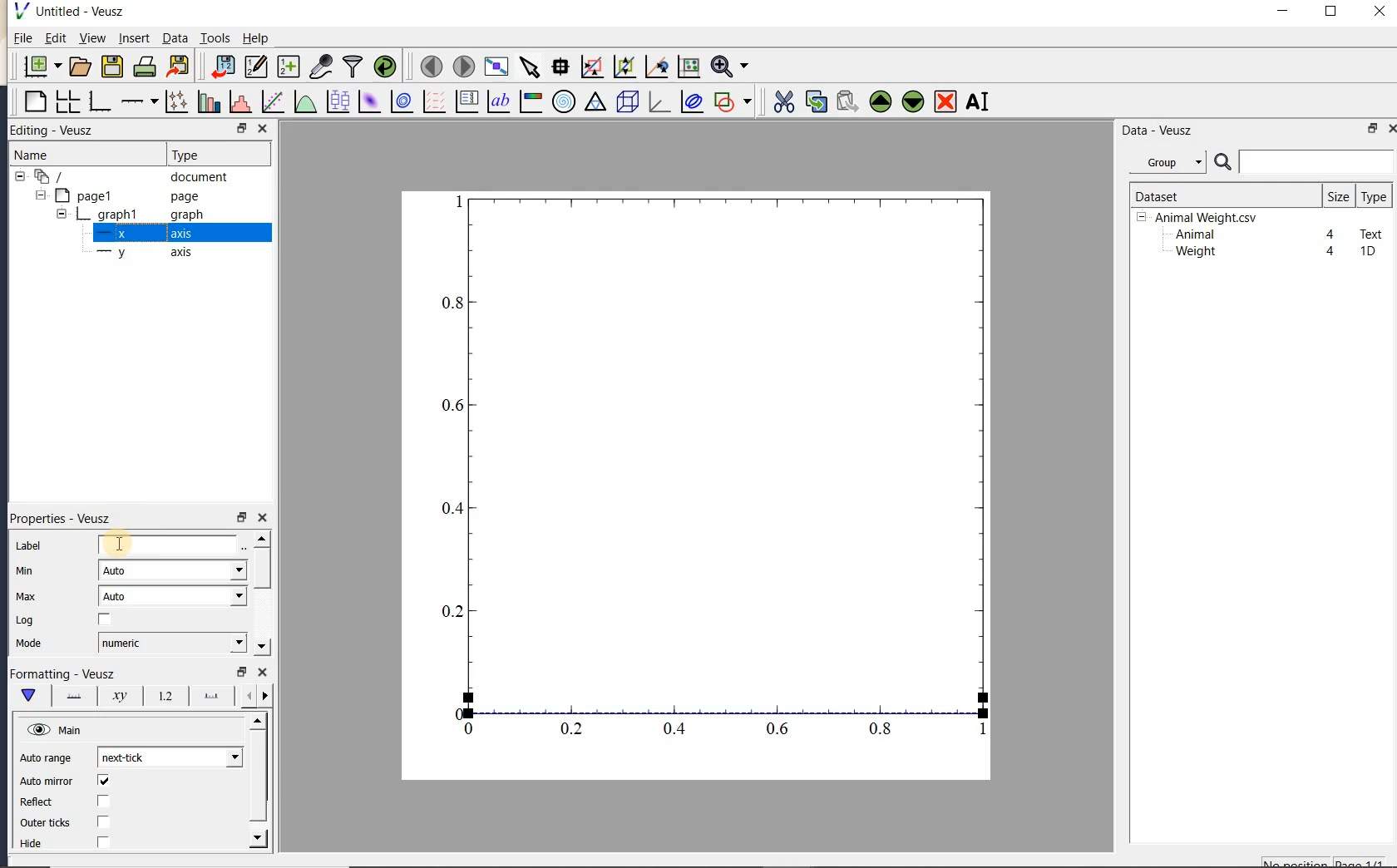 Image resolution: width=1397 pixels, height=868 pixels. I want to click on tick labels, so click(162, 695).